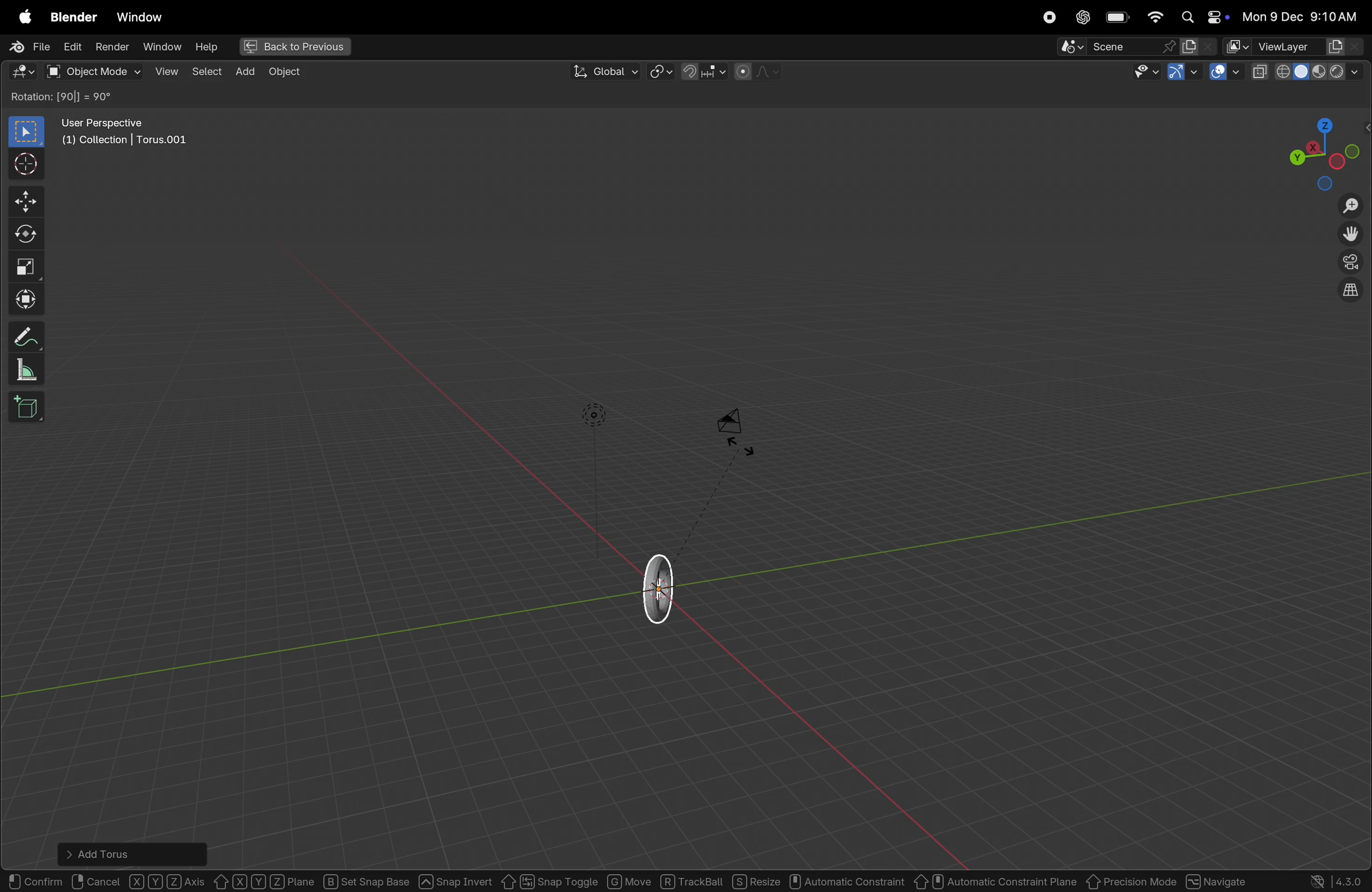 This screenshot has height=892, width=1372. I want to click on add cube, so click(29, 409).